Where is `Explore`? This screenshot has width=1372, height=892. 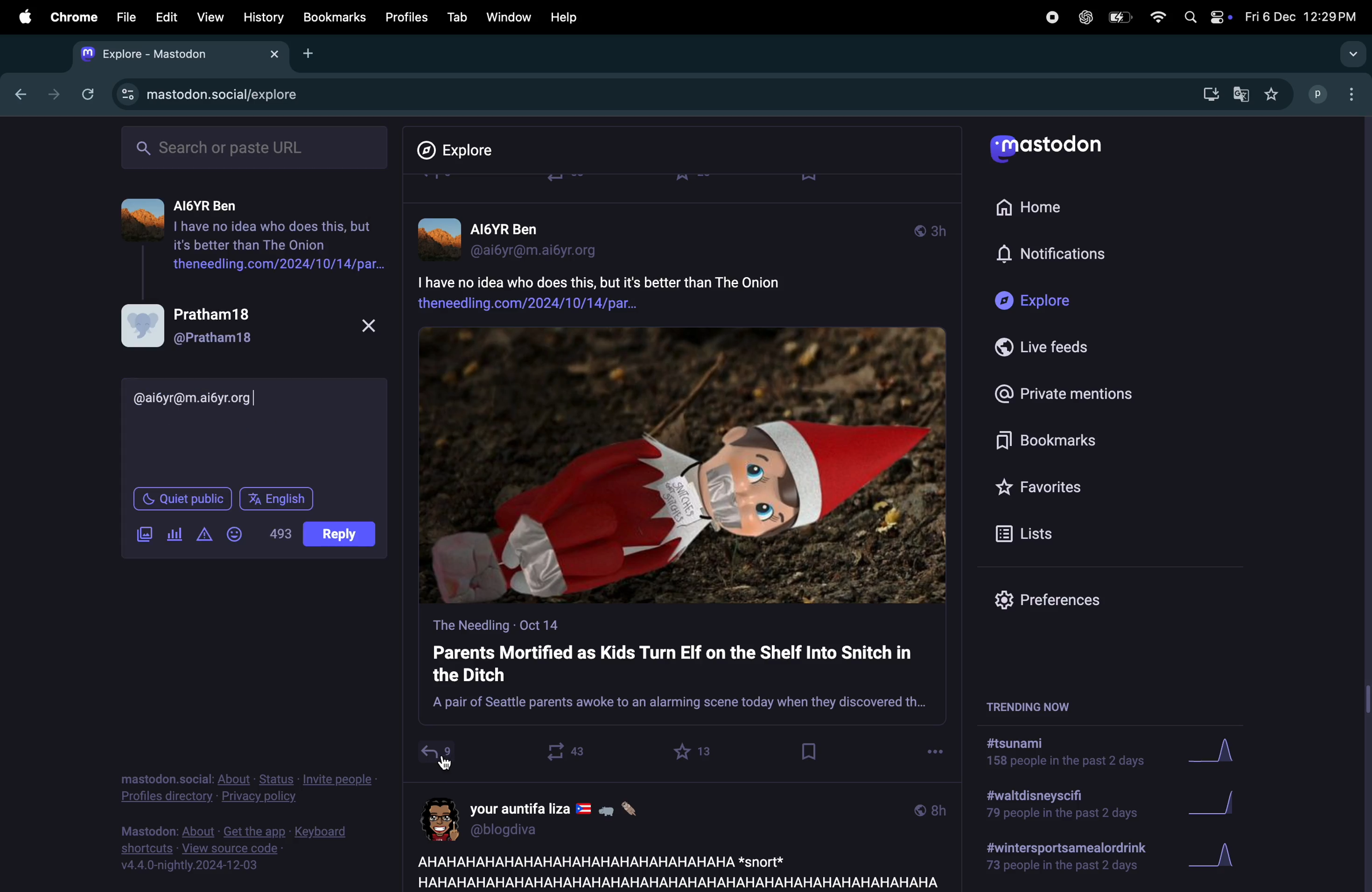
Explore is located at coordinates (1039, 301).